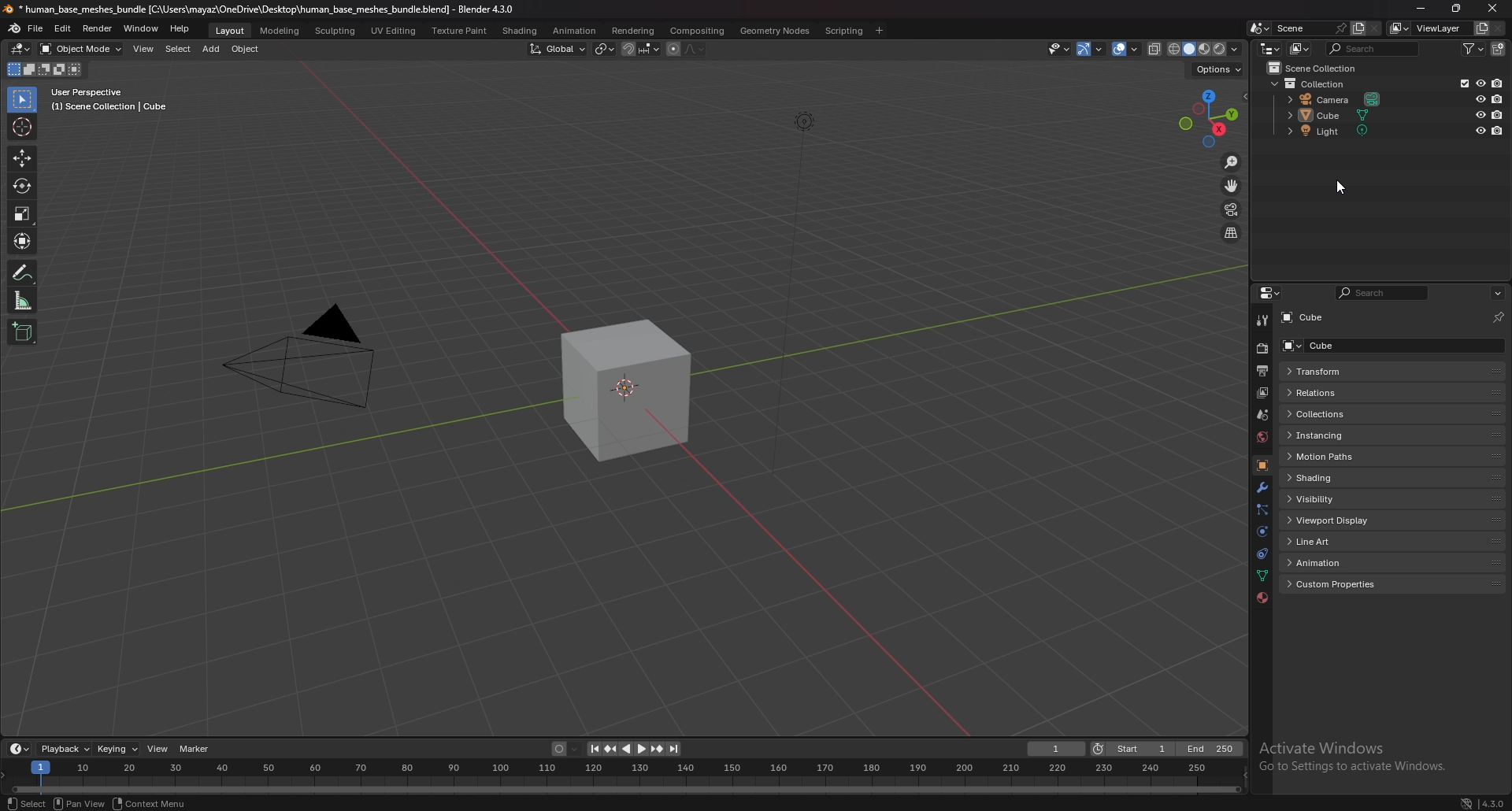 Image resolution: width=1512 pixels, height=811 pixels. What do you see at coordinates (1499, 130) in the screenshot?
I see `disable in renders` at bounding box center [1499, 130].